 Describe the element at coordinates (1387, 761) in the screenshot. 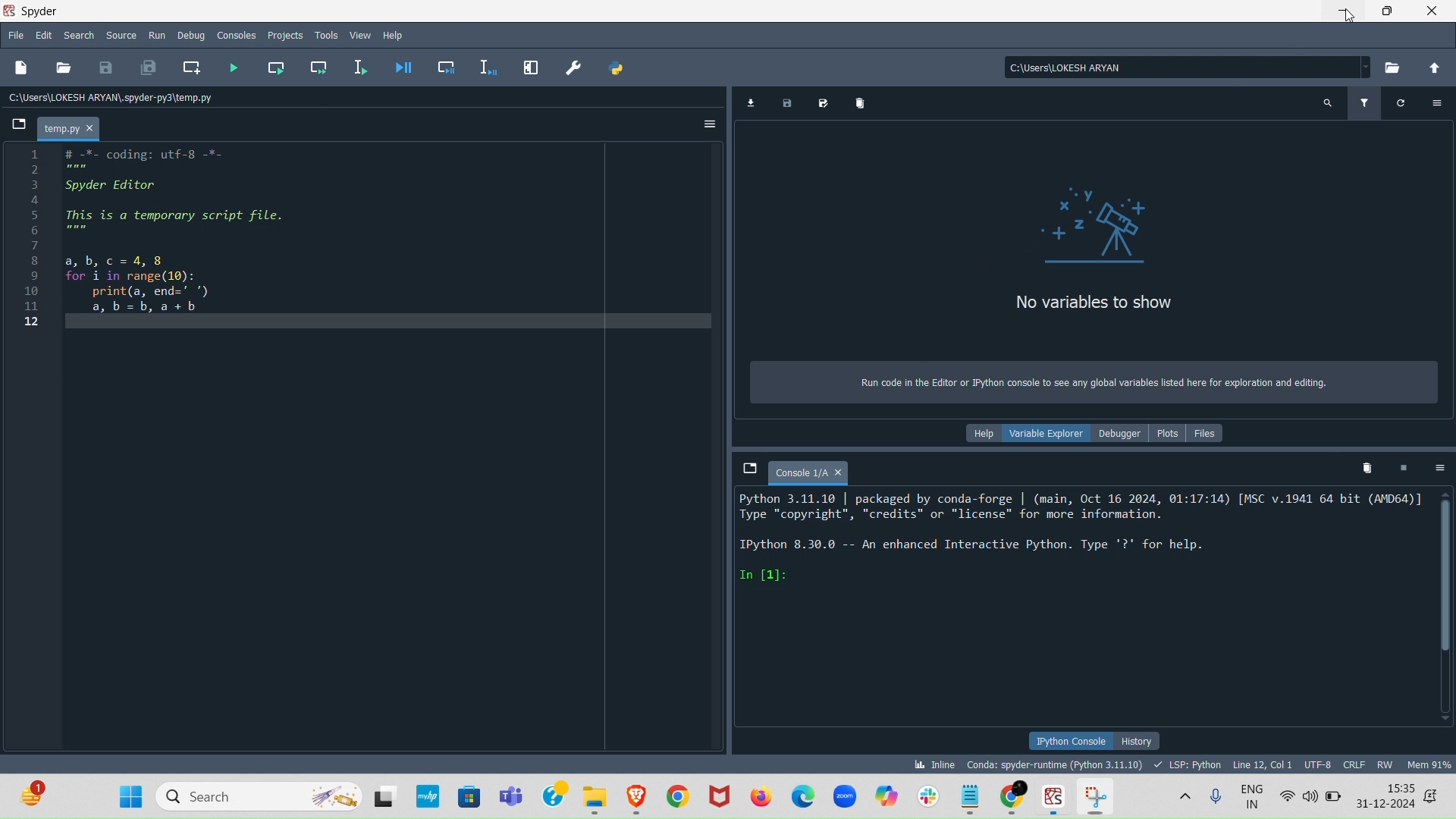

I see `File permissions` at that location.